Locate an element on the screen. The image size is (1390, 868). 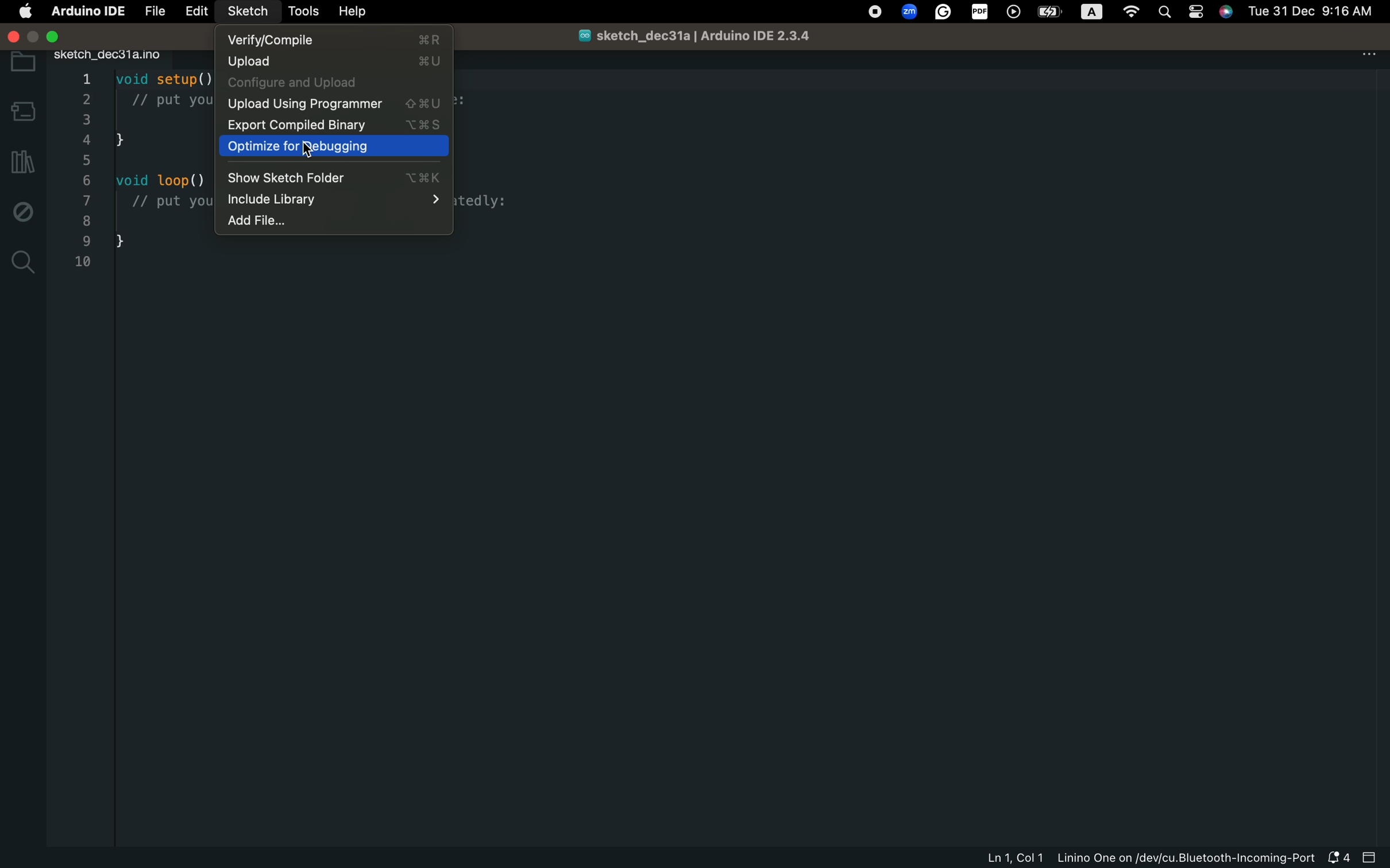
sketch is located at coordinates (248, 11).